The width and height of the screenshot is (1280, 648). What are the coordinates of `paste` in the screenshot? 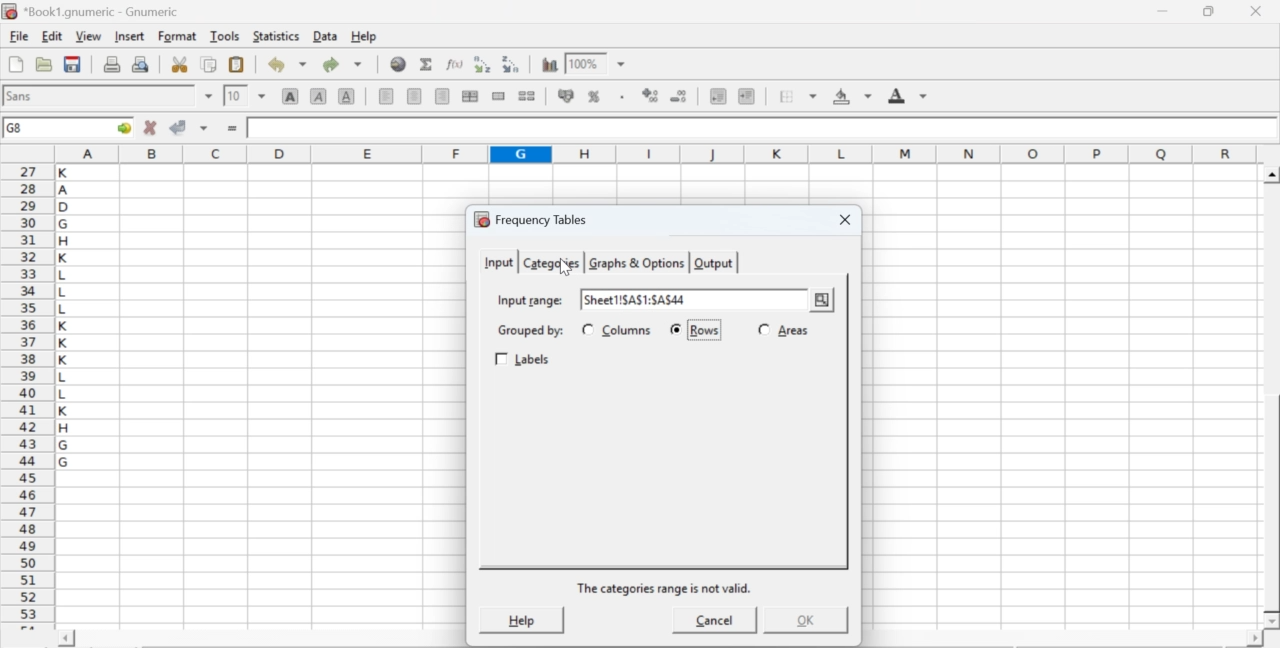 It's located at (238, 65).